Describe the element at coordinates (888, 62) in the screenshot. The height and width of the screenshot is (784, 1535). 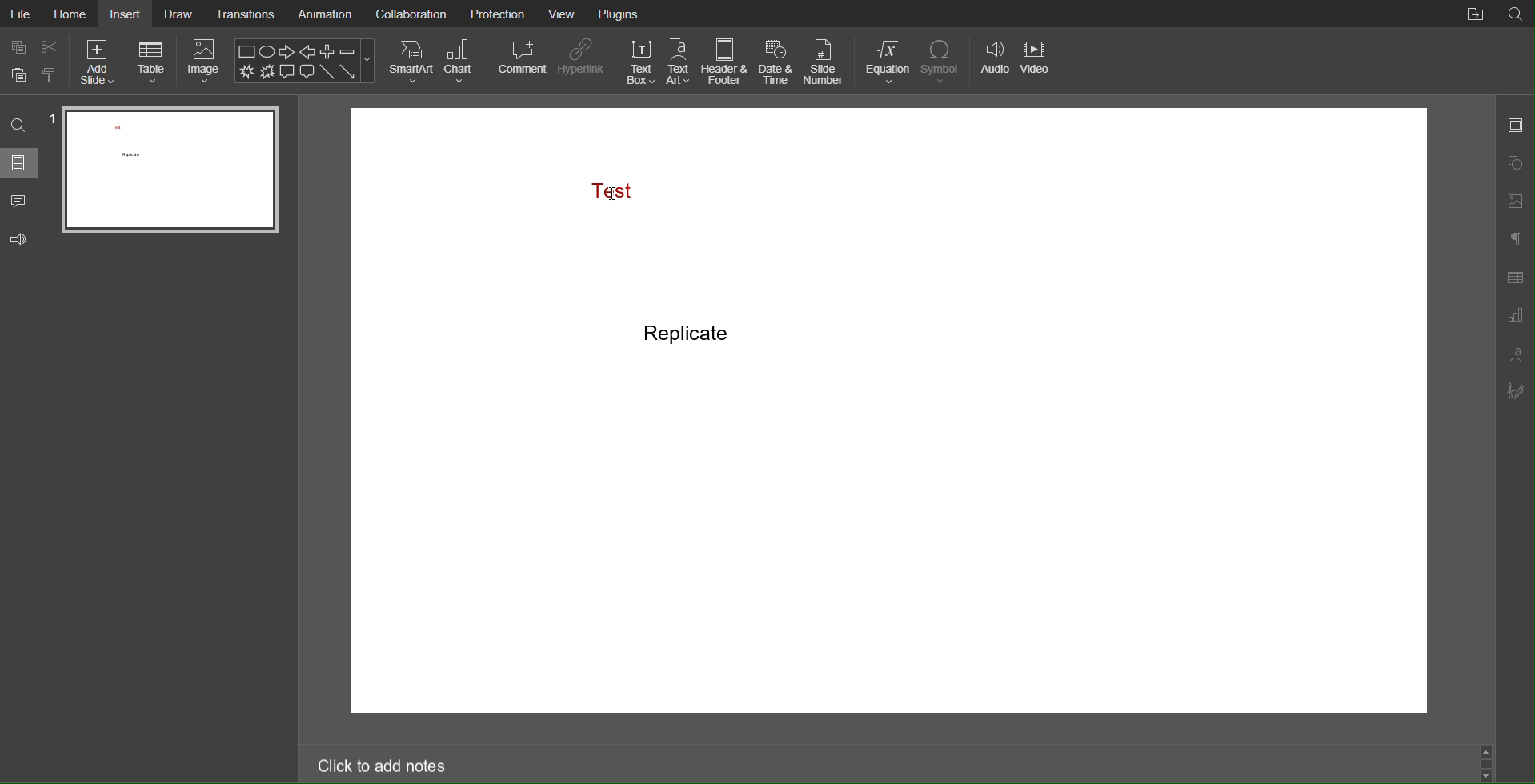
I see `Equation` at that location.